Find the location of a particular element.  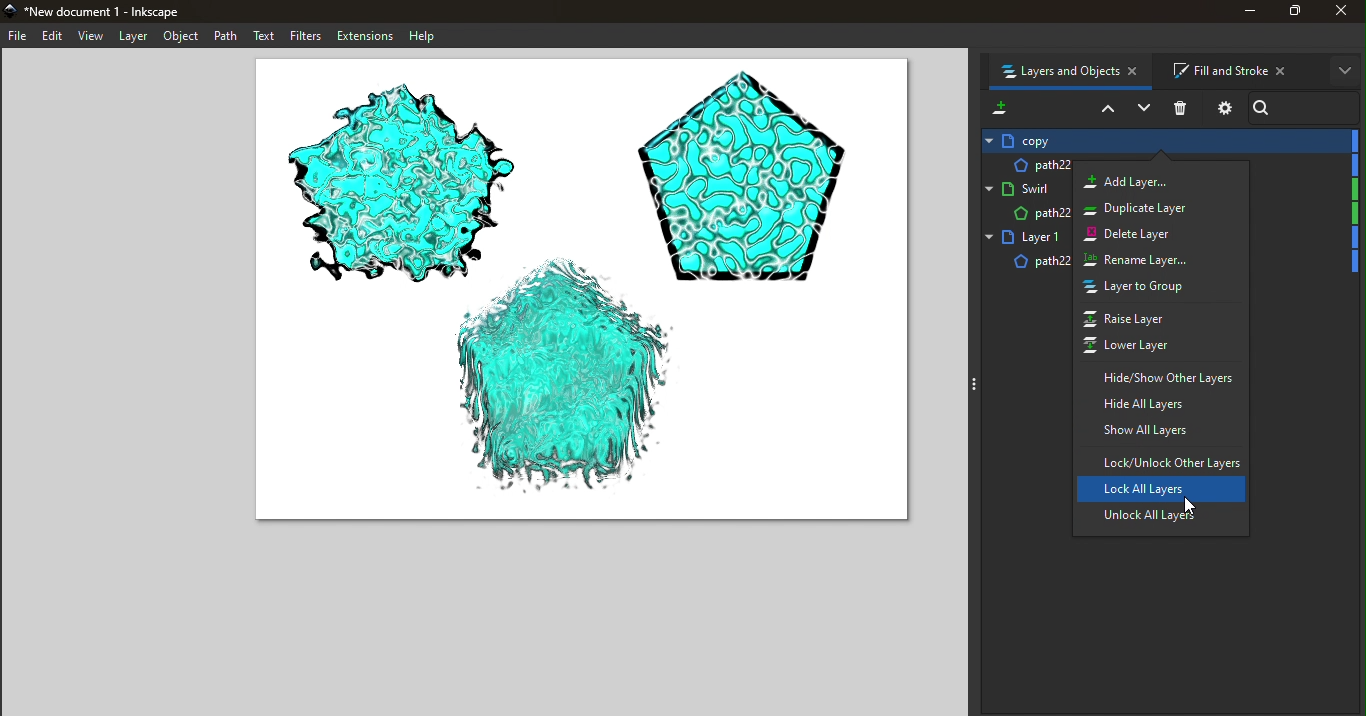

Add layer... is located at coordinates (1155, 182).